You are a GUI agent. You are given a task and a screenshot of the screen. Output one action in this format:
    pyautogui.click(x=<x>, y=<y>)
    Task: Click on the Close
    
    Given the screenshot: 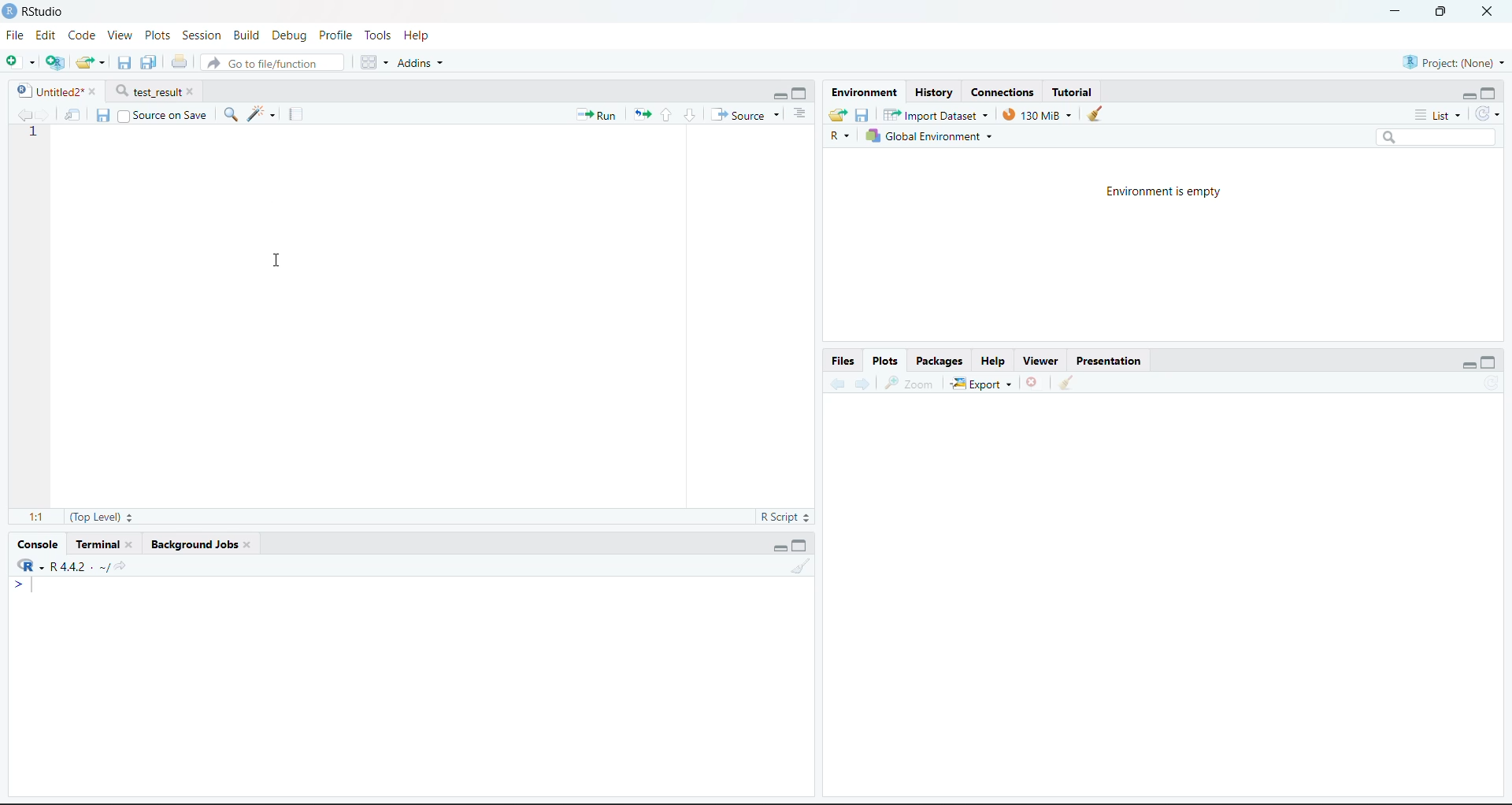 What is the action you would take?
    pyautogui.click(x=1033, y=379)
    